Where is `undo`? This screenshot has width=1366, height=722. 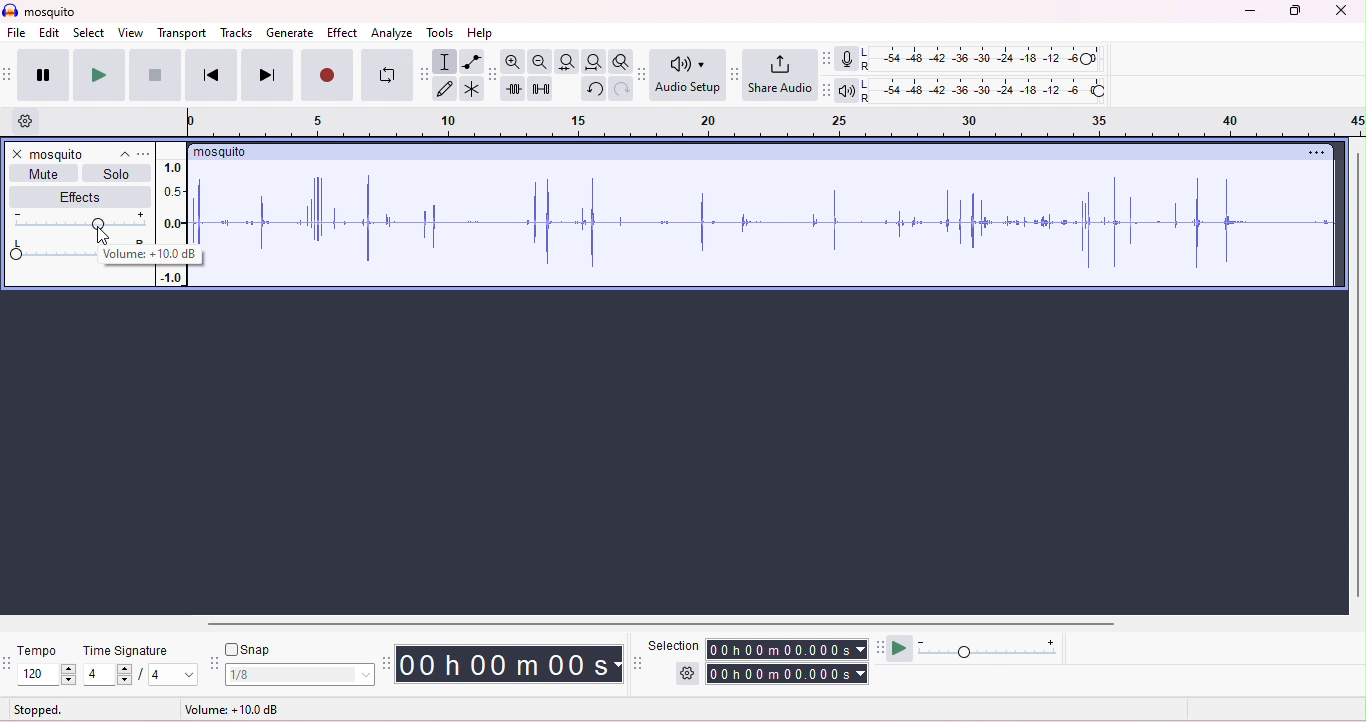
undo is located at coordinates (594, 89).